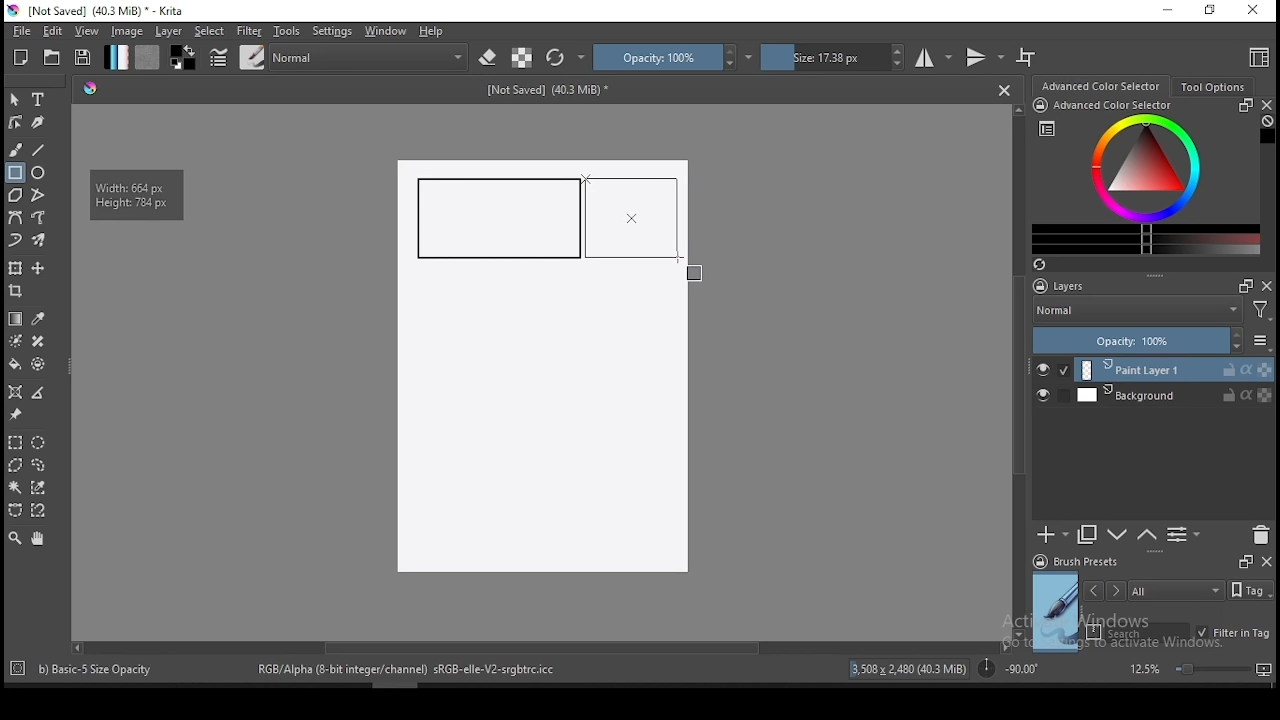 The width and height of the screenshot is (1280, 720). What do you see at coordinates (1082, 562) in the screenshot?
I see `brush presets` at bounding box center [1082, 562].